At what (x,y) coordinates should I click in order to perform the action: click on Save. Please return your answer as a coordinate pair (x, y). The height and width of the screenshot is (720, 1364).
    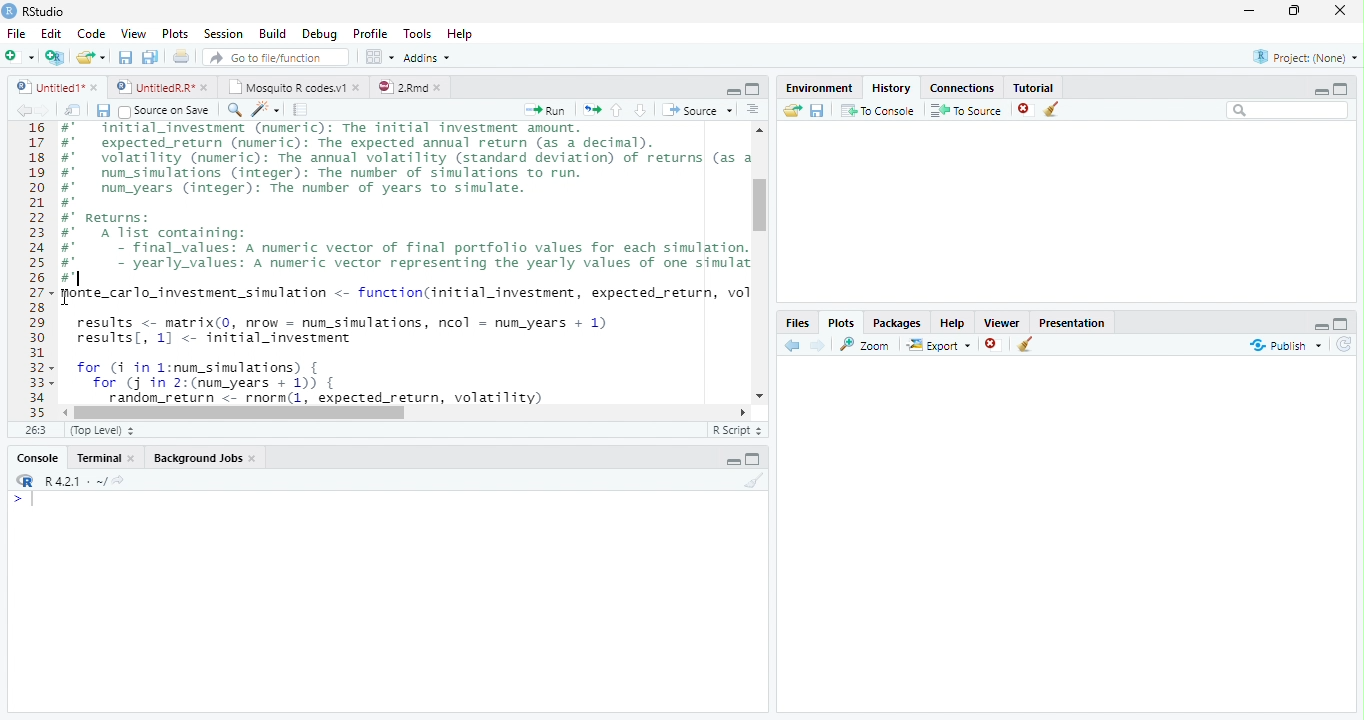
    Looking at the image, I should click on (817, 110).